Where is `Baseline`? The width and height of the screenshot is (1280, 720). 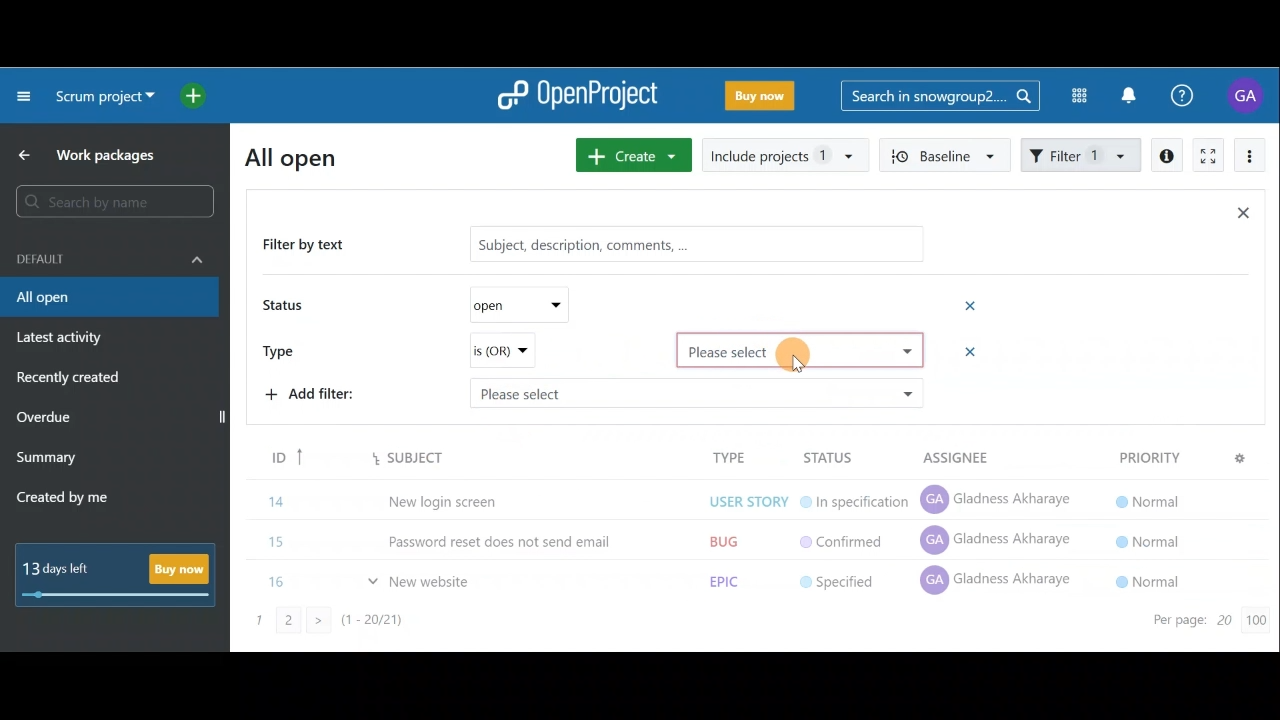 Baseline is located at coordinates (942, 154).